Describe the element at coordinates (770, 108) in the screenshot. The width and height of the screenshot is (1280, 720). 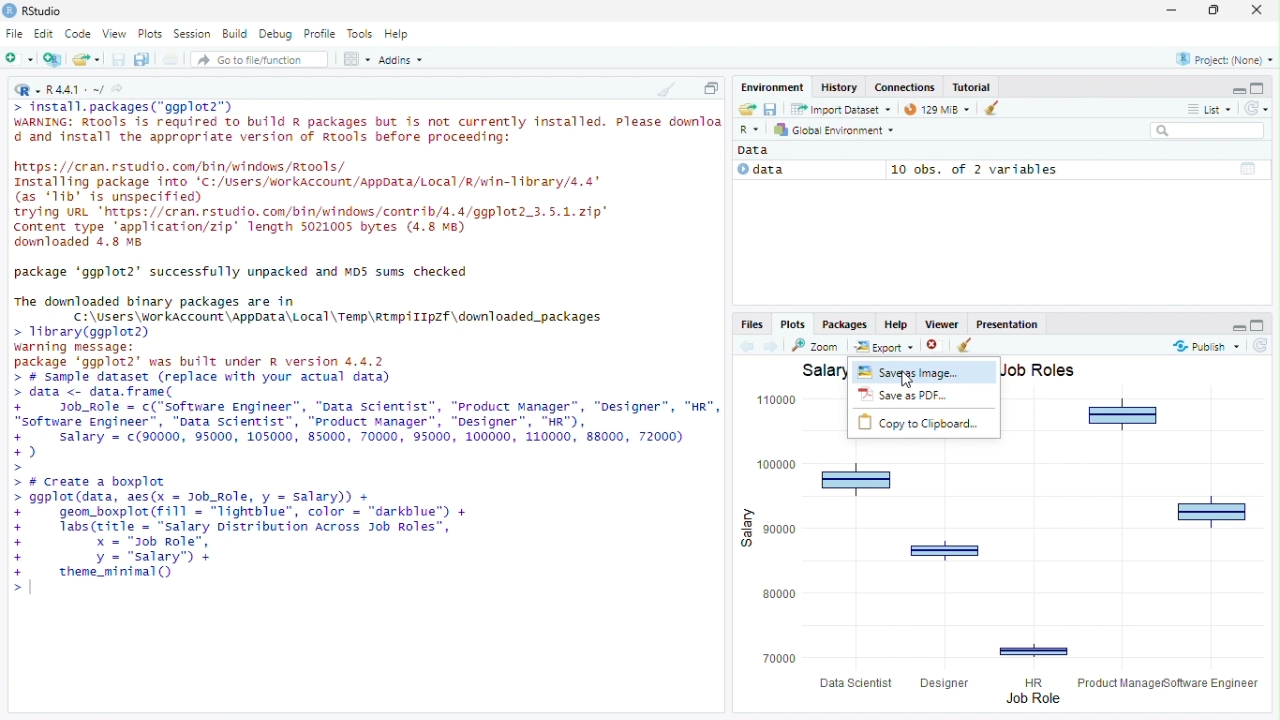
I see `Save workspace as` at that location.